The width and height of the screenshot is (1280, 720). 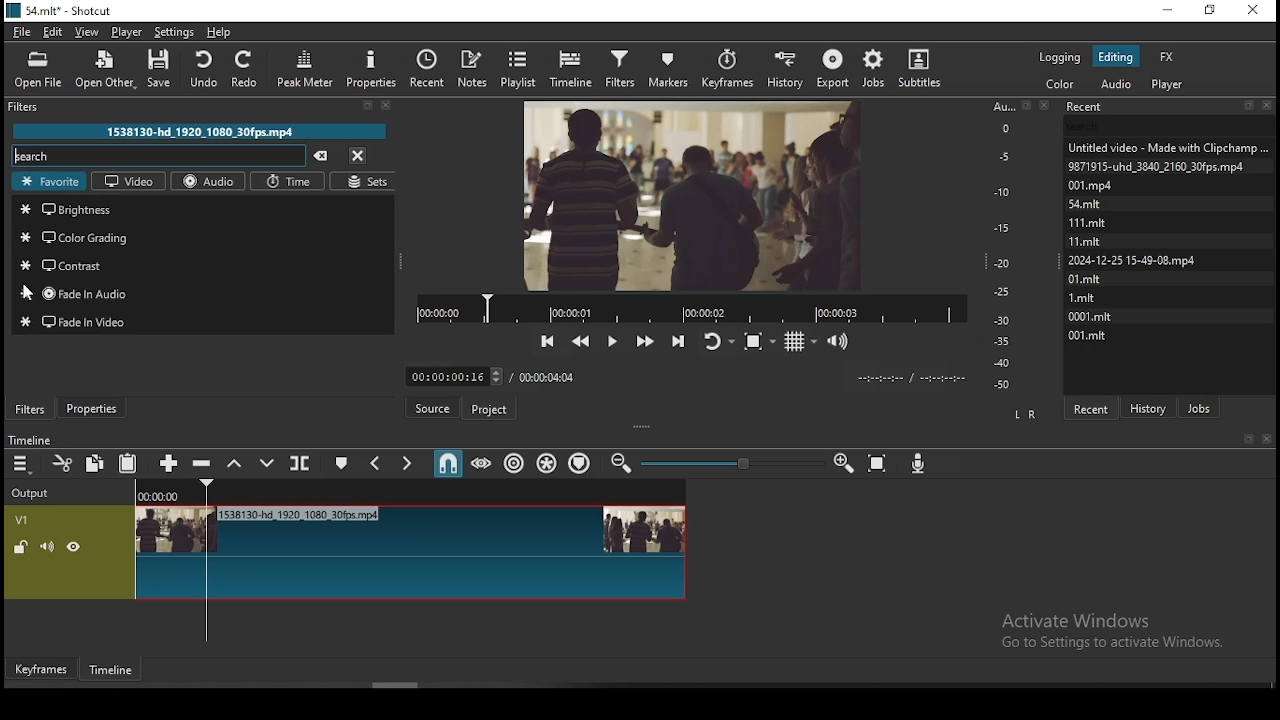 I want to click on sets, so click(x=363, y=182).